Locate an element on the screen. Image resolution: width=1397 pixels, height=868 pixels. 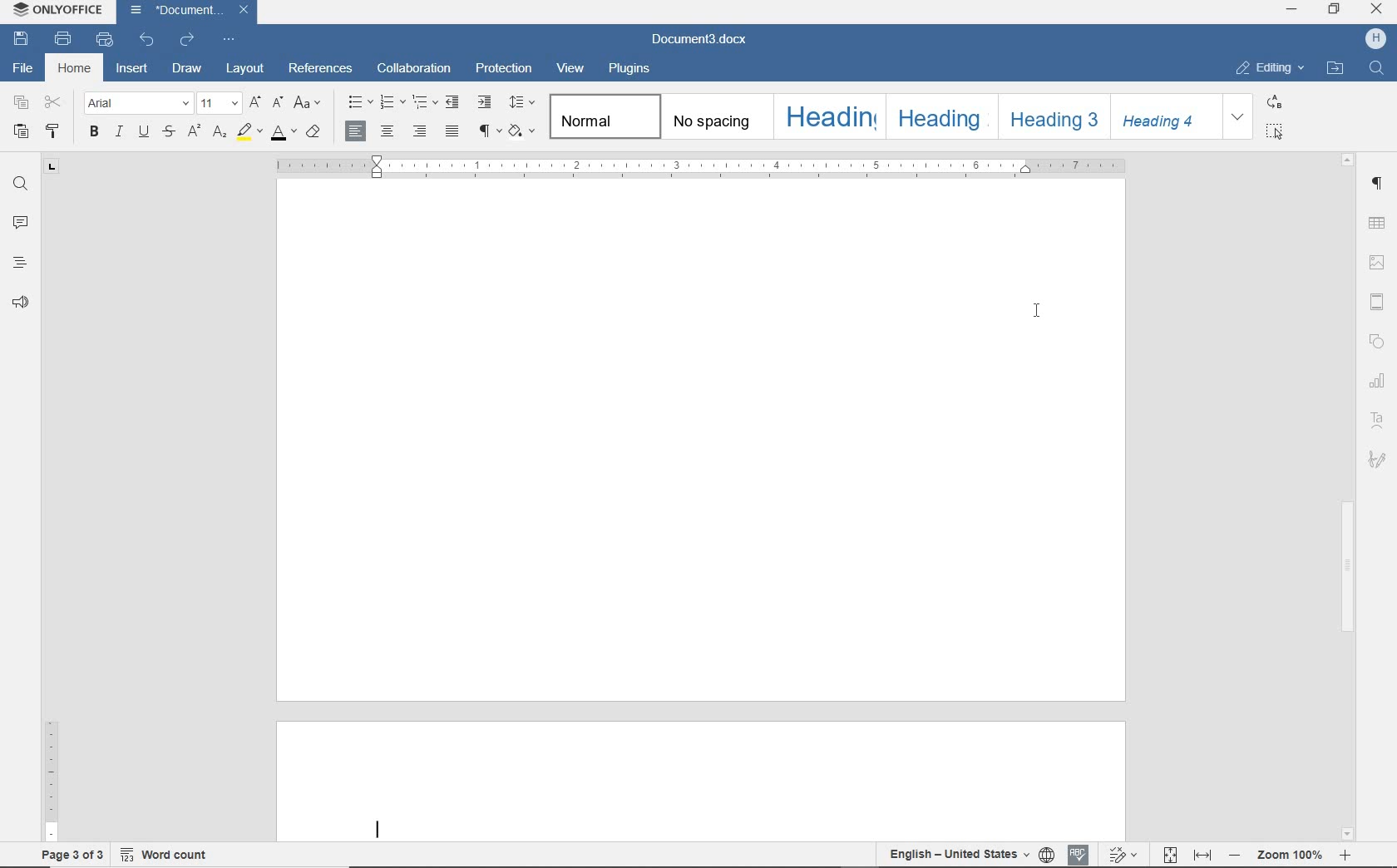
Zoom 100% is located at coordinates (1289, 855).